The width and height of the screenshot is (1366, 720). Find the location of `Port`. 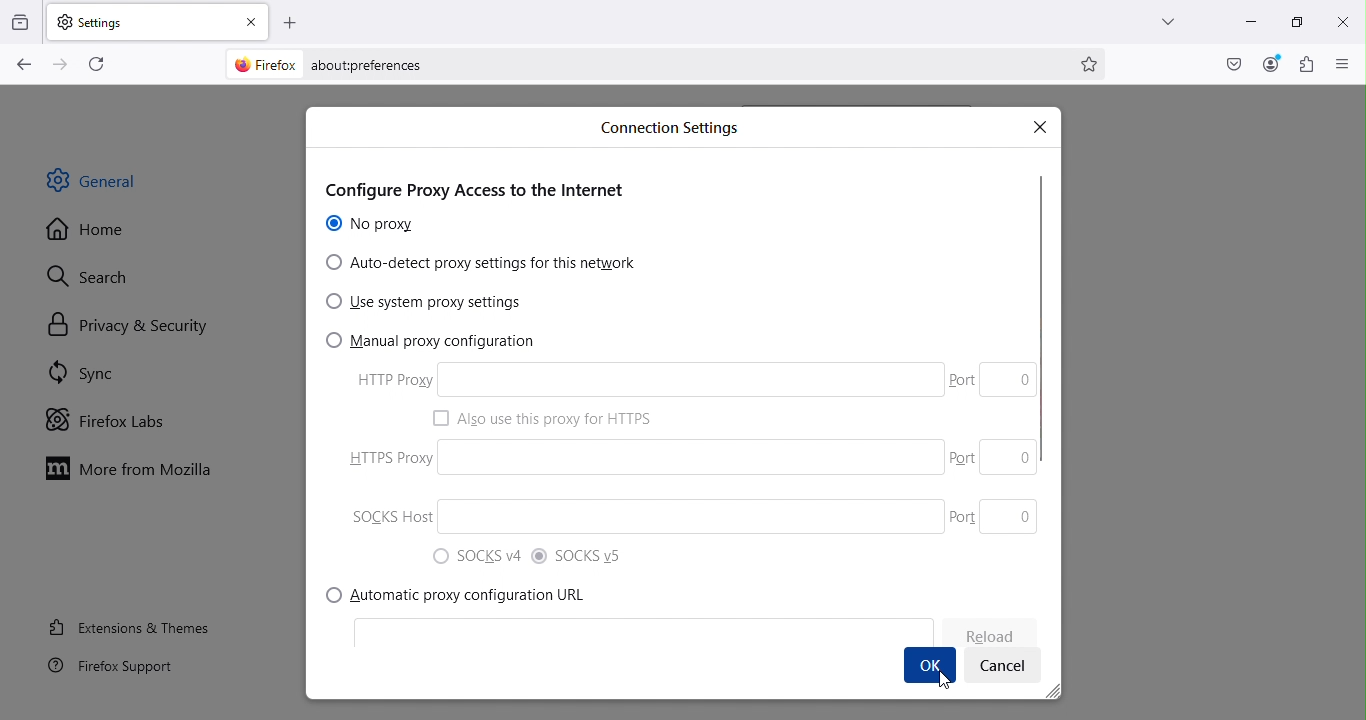

Port is located at coordinates (962, 516).